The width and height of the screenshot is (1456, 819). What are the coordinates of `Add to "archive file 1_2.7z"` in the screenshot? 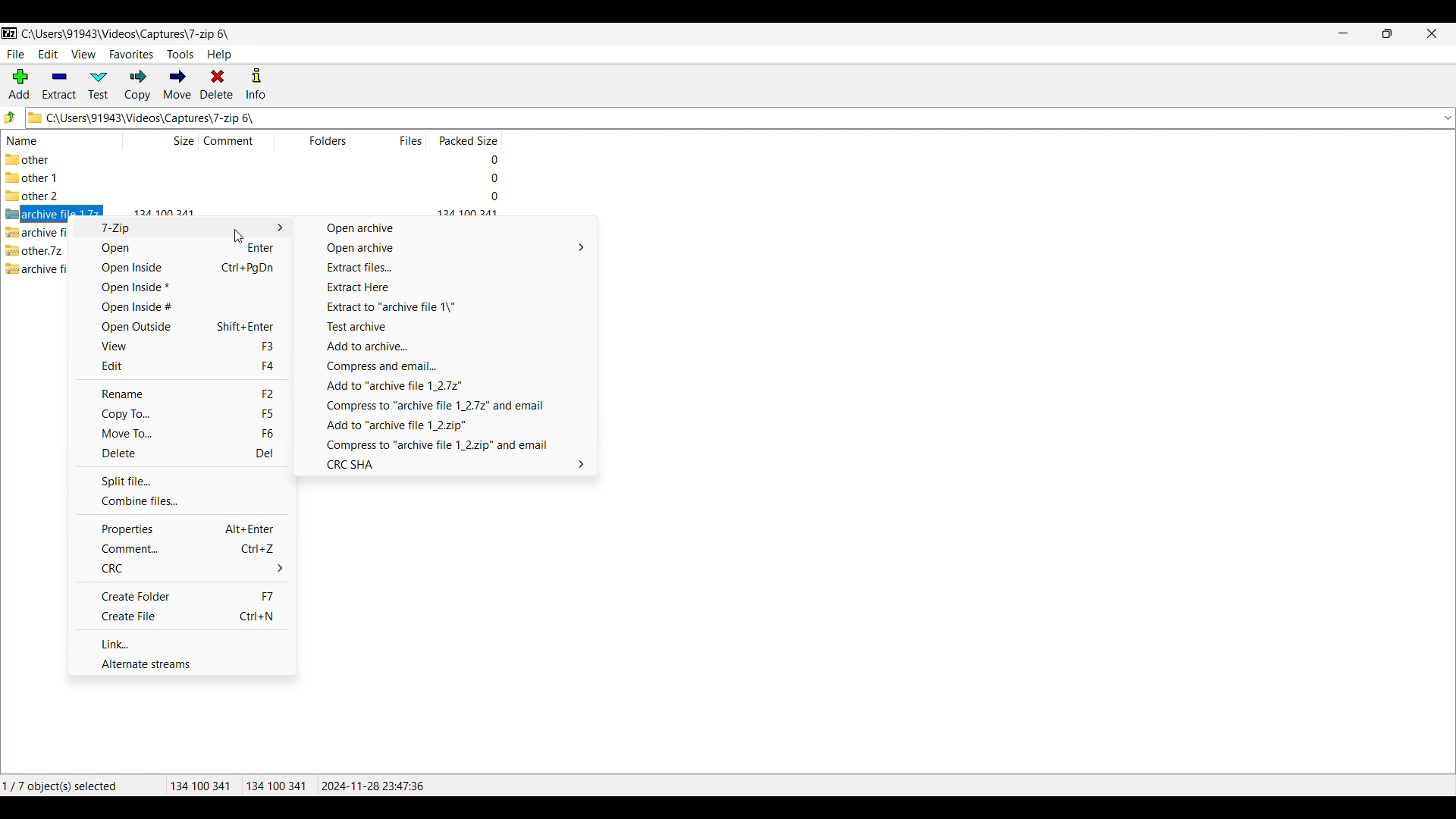 It's located at (450, 386).